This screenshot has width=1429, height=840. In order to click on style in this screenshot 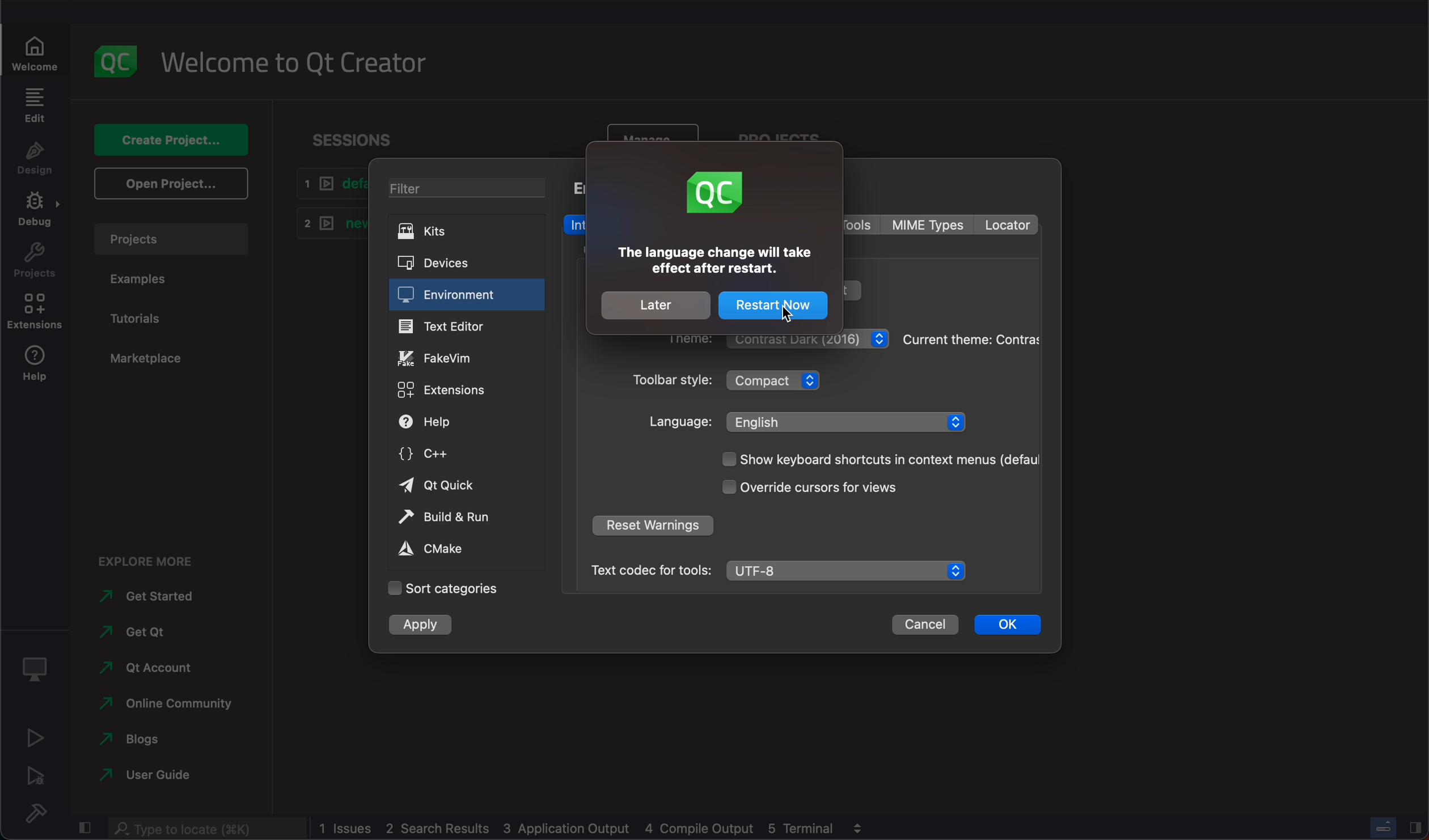, I will do `click(673, 380)`.